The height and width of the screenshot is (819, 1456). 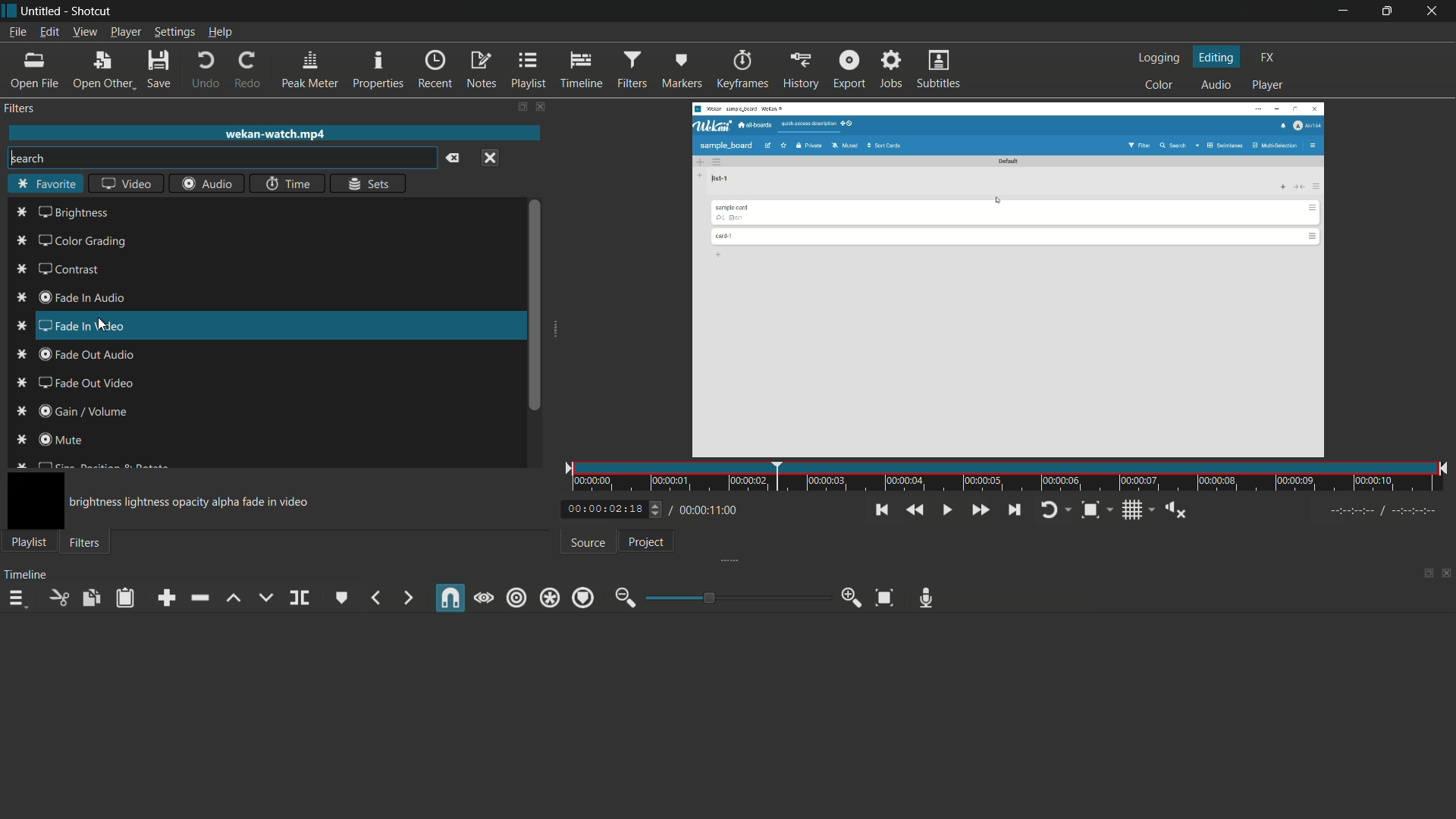 I want to click on properties, so click(x=378, y=70).